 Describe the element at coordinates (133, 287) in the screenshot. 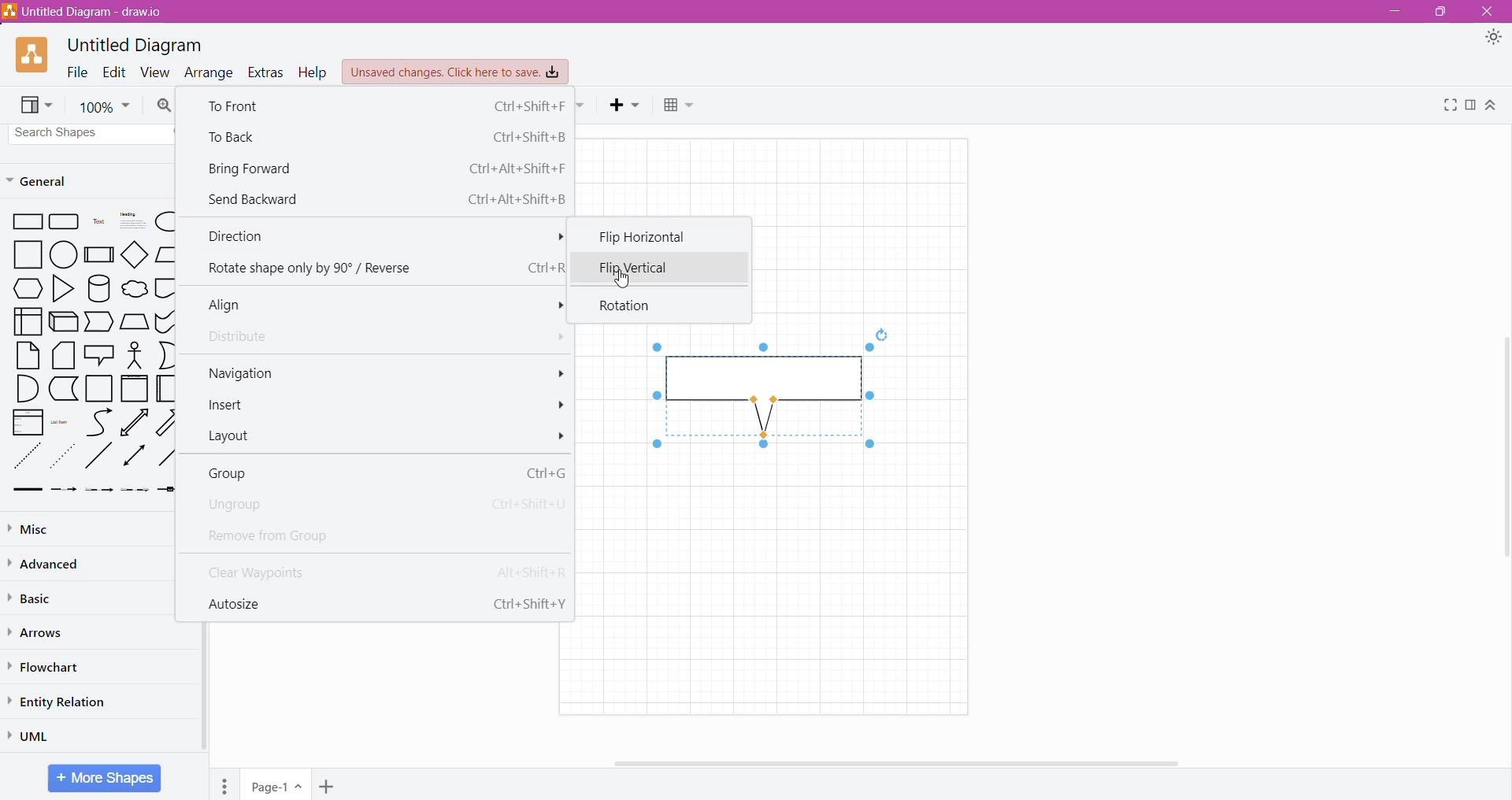

I see `cloud` at that location.